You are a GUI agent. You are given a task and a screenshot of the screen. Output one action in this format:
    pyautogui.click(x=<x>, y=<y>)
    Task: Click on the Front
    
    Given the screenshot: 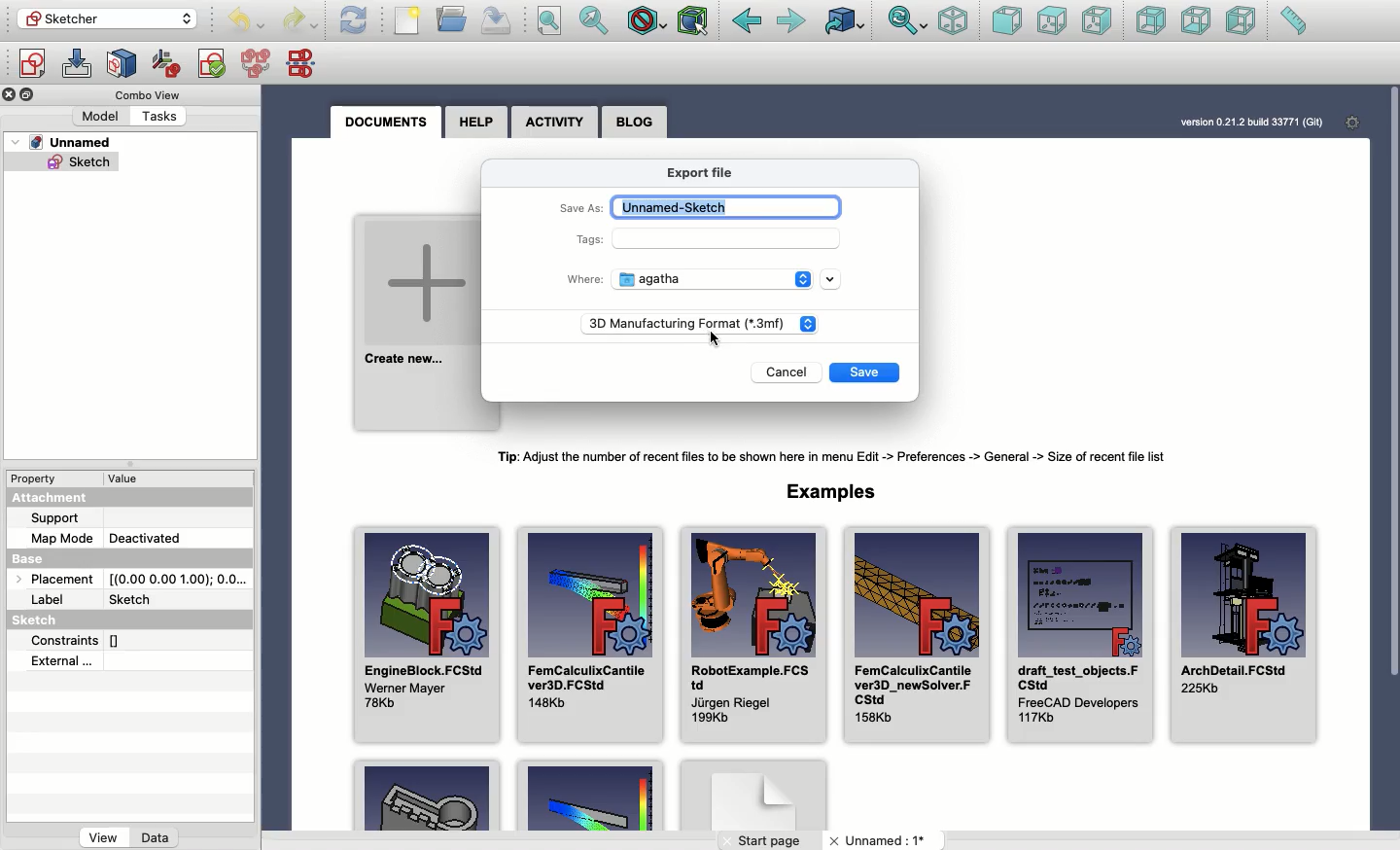 What is the action you would take?
    pyautogui.click(x=1005, y=22)
    